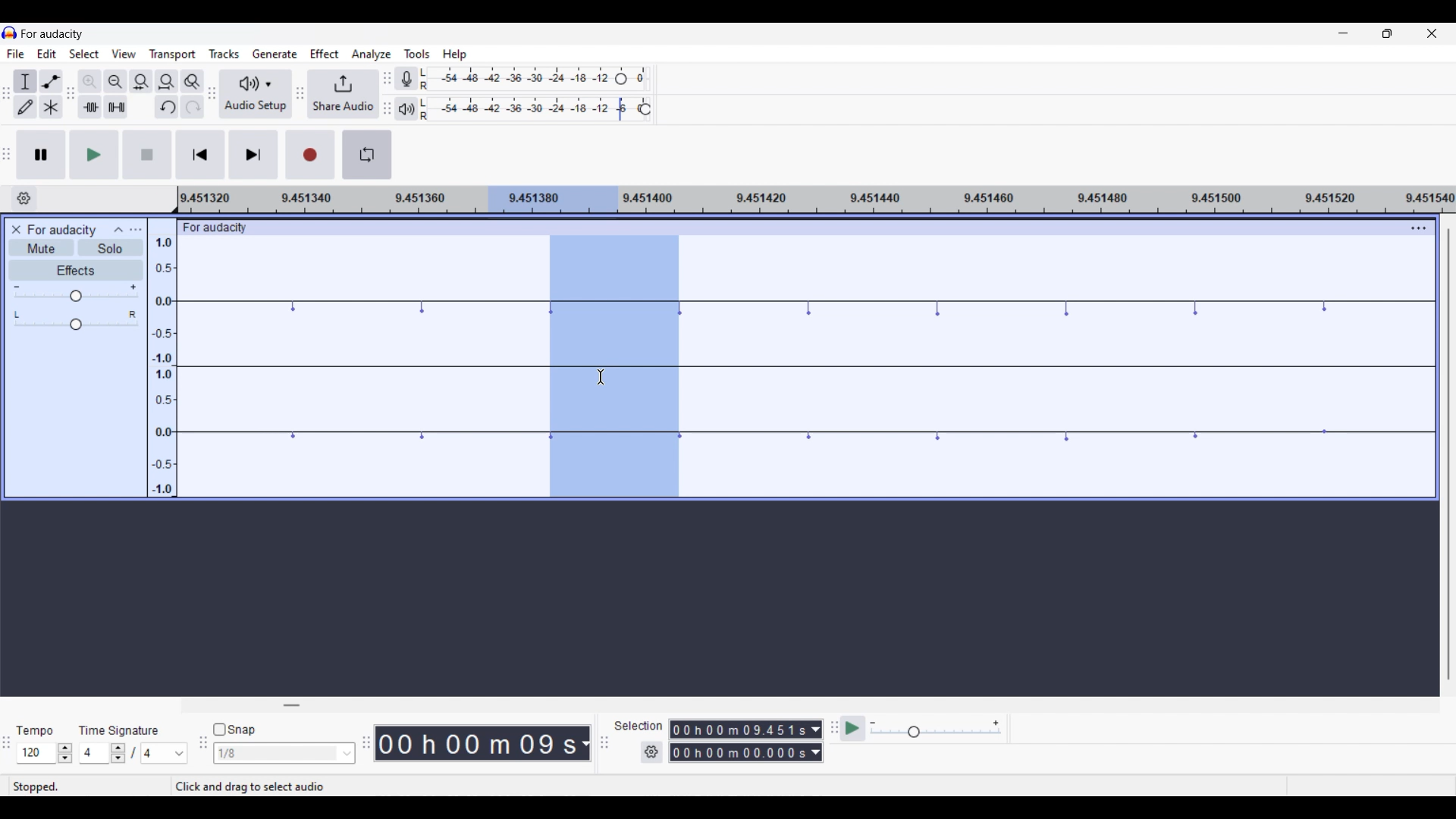 The height and width of the screenshot is (819, 1456). I want to click on Mute, so click(42, 248).